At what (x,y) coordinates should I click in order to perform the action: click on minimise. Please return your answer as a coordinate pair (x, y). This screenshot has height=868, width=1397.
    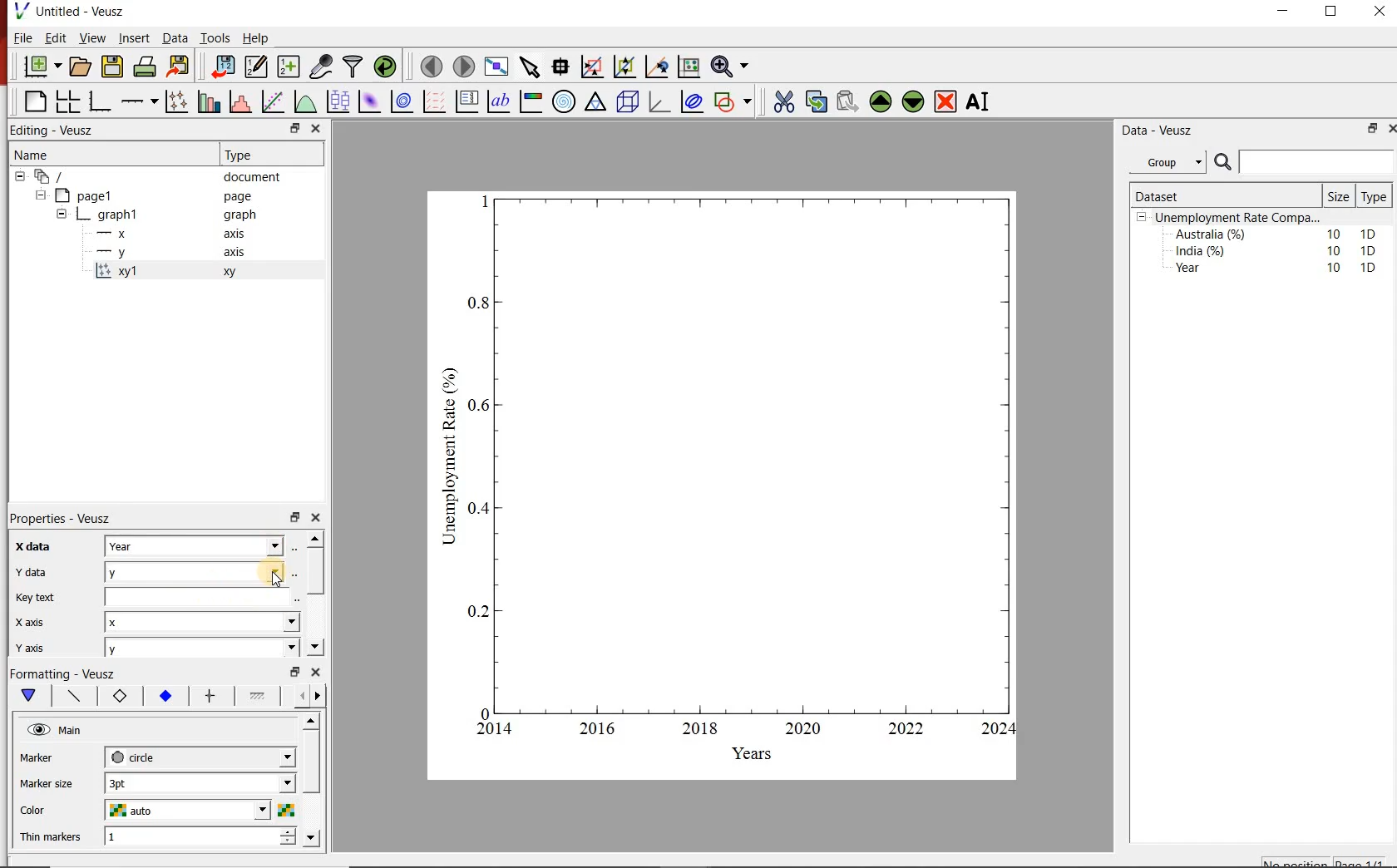
    Looking at the image, I should click on (295, 670).